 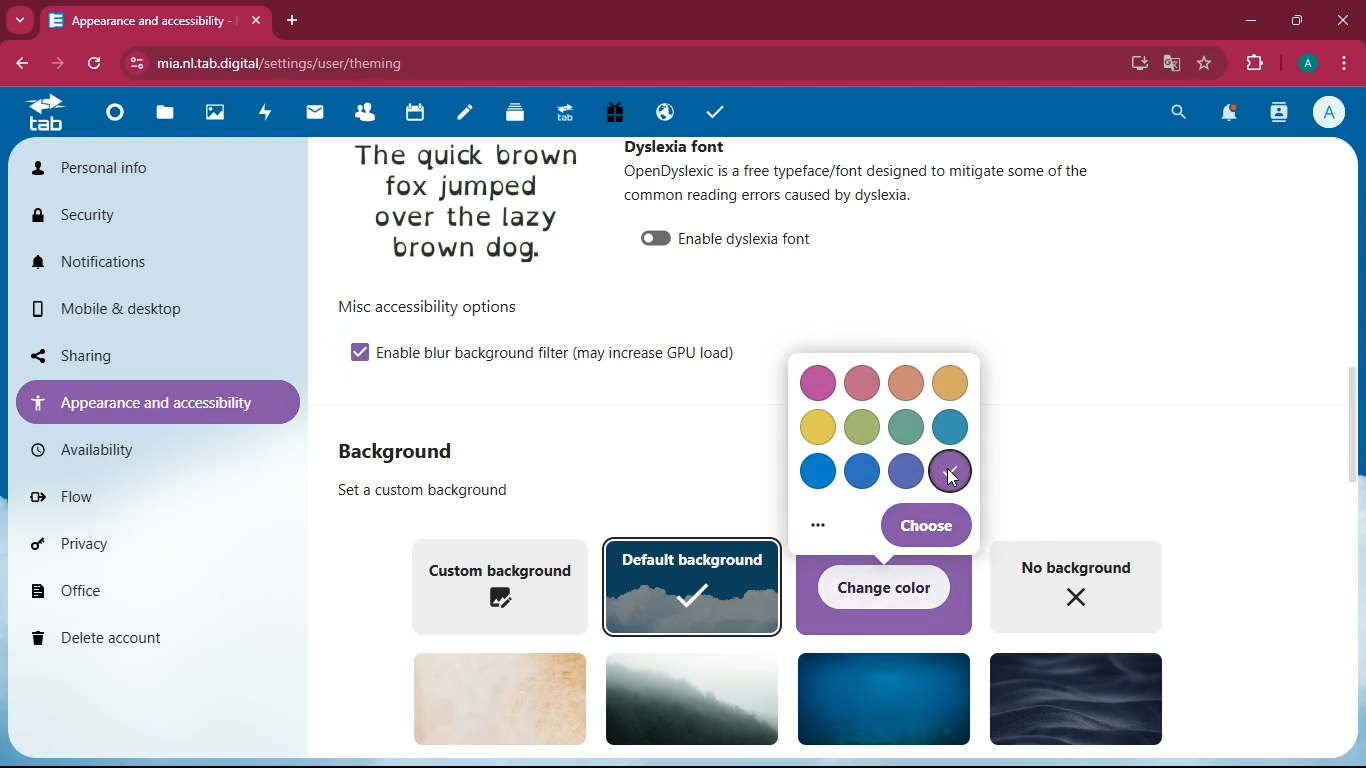 What do you see at coordinates (145, 640) in the screenshot?
I see `delete` at bounding box center [145, 640].